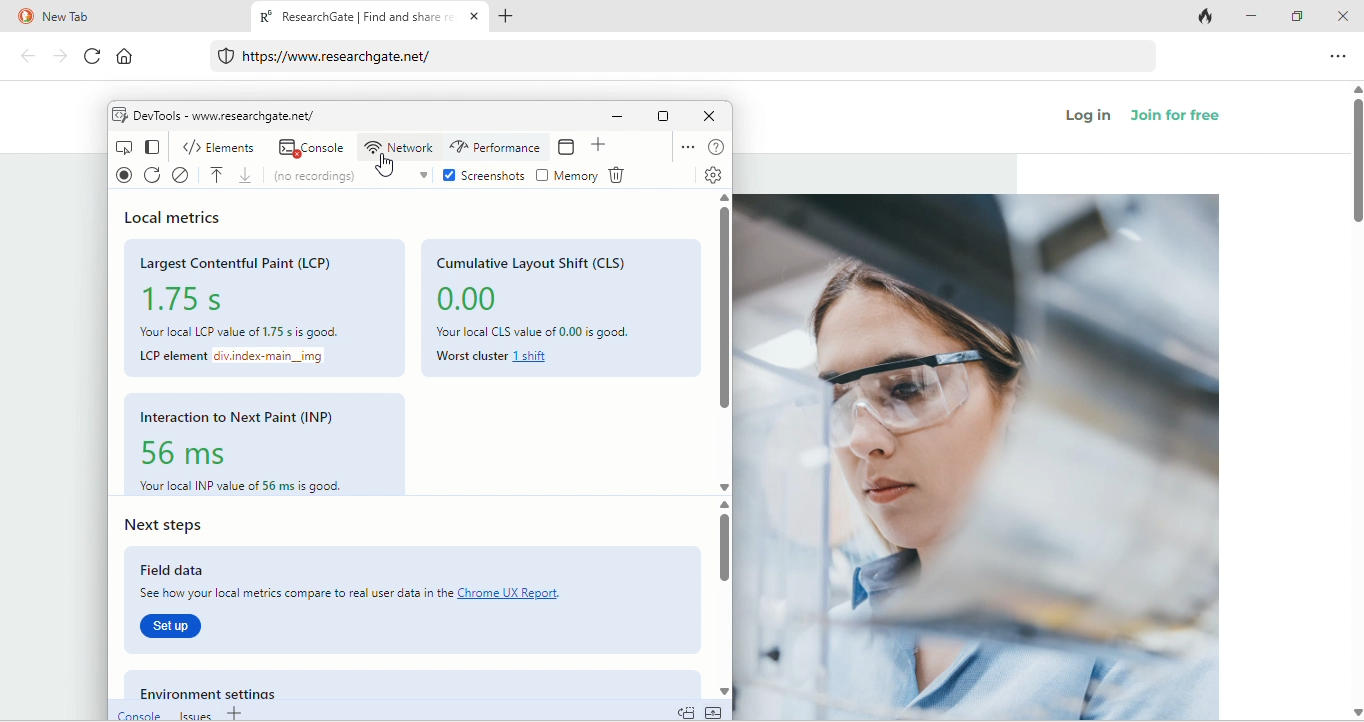 This screenshot has width=1364, height=722. What do you see at coordinates (174, 627) in the screenshot?
I see `set up` at bounding box center [174, 627].